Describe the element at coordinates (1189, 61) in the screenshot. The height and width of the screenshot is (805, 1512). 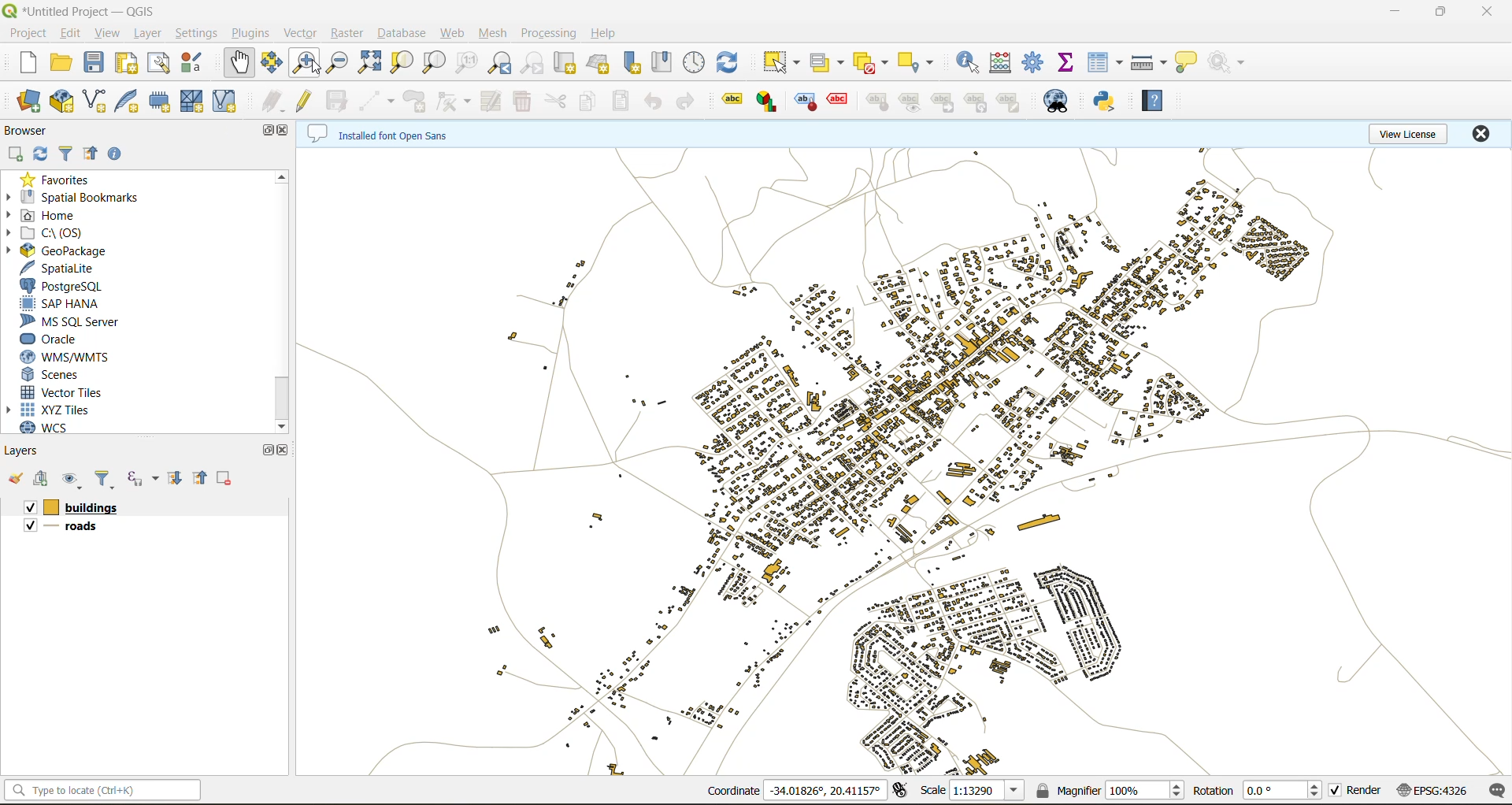
I see `show tips` at that location.